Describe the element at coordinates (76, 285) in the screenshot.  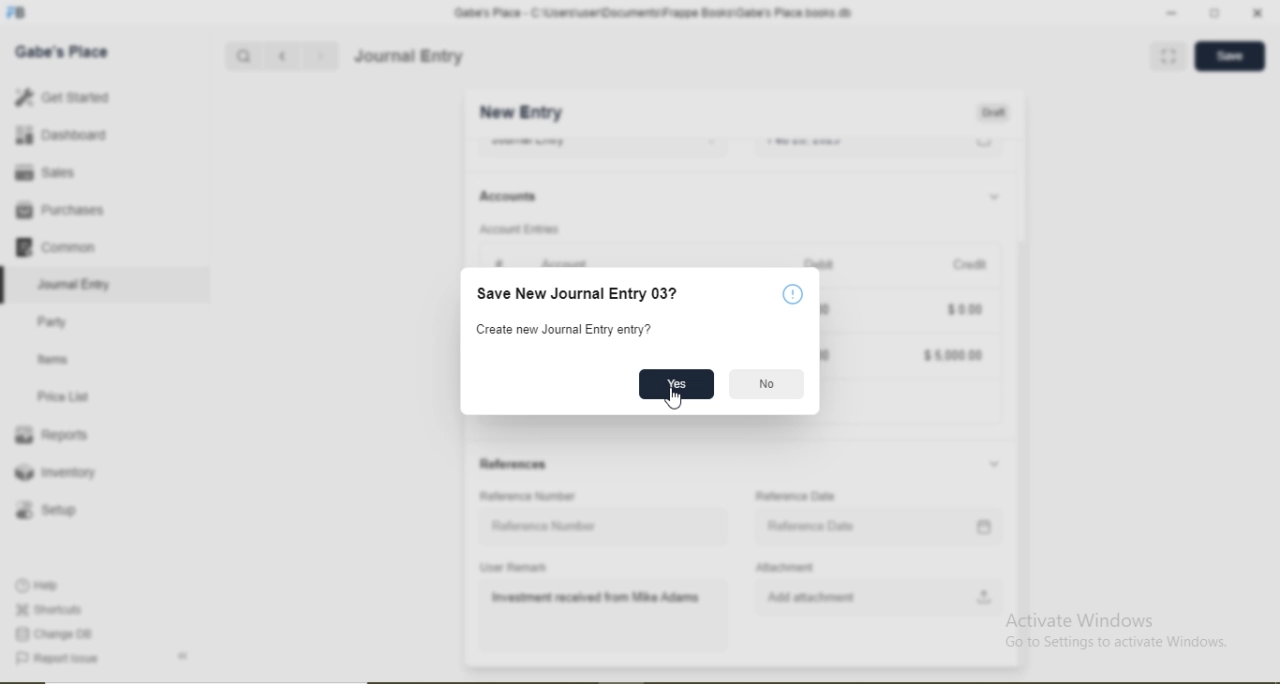
I see `Journal Entry` at that location.